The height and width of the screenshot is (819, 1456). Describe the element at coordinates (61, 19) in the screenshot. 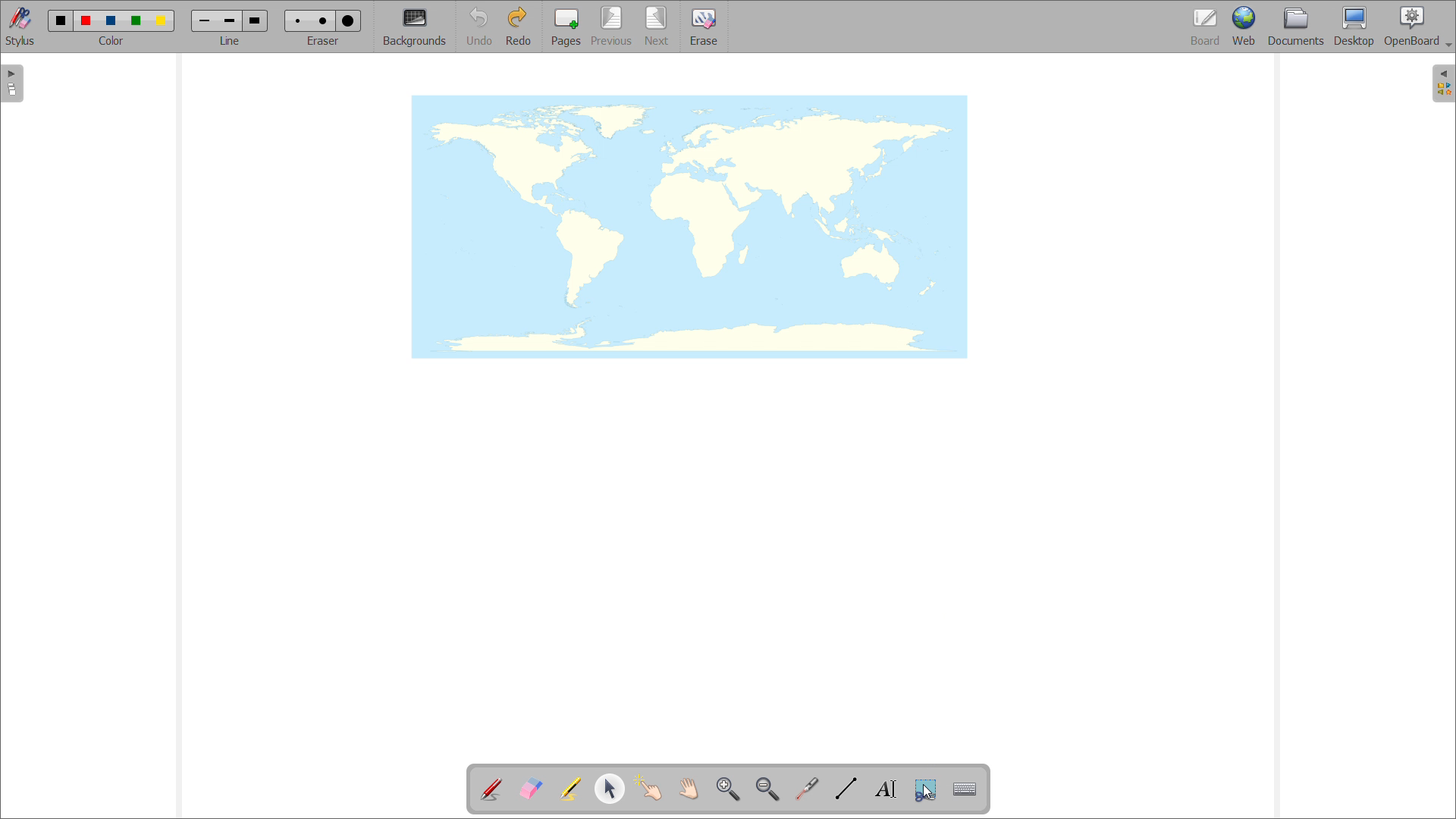

I see `black` at that location.